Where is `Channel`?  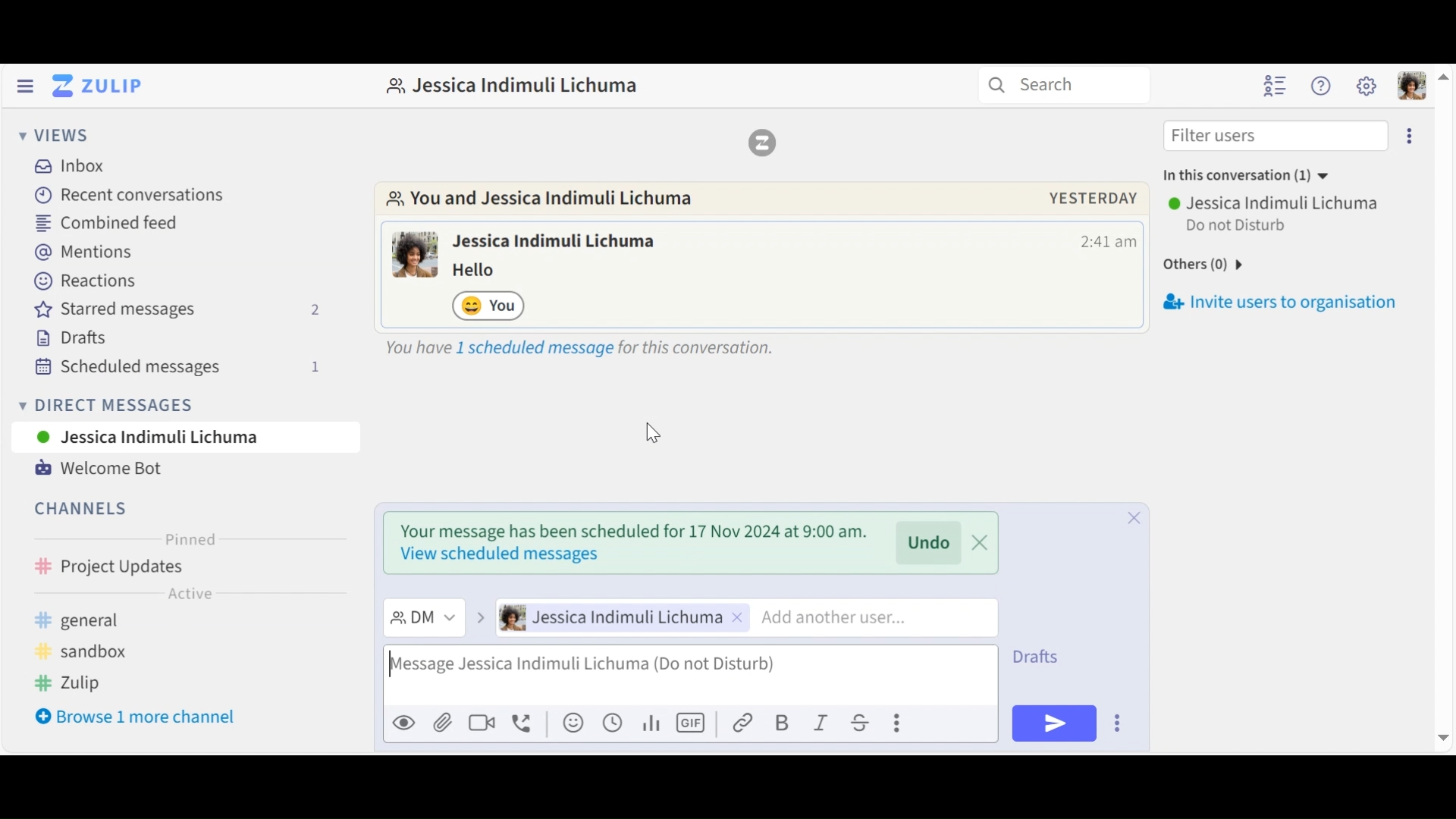
Channel is located at coordinates (77, 504).